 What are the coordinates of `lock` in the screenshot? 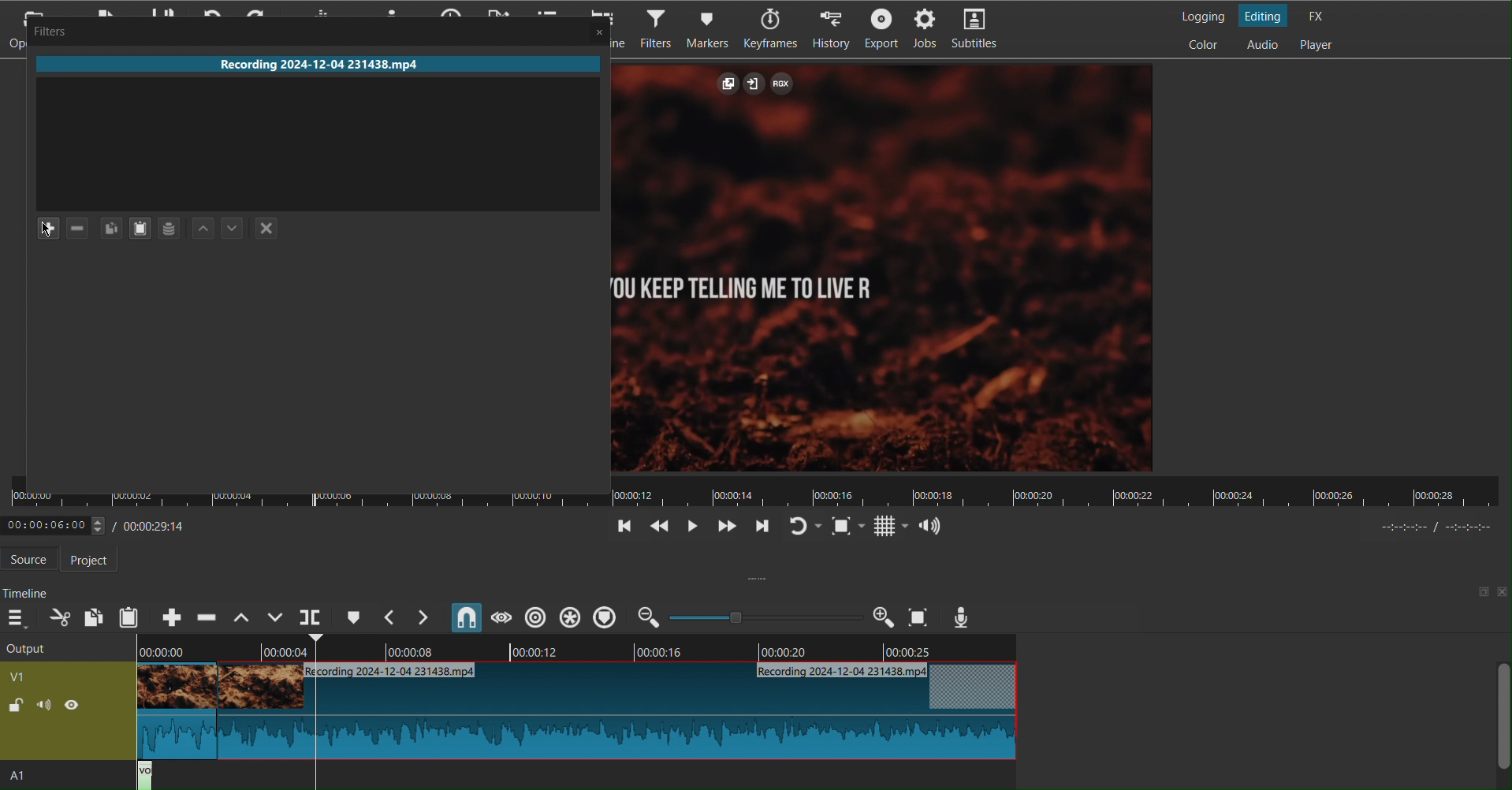 It's located at (16, 707).